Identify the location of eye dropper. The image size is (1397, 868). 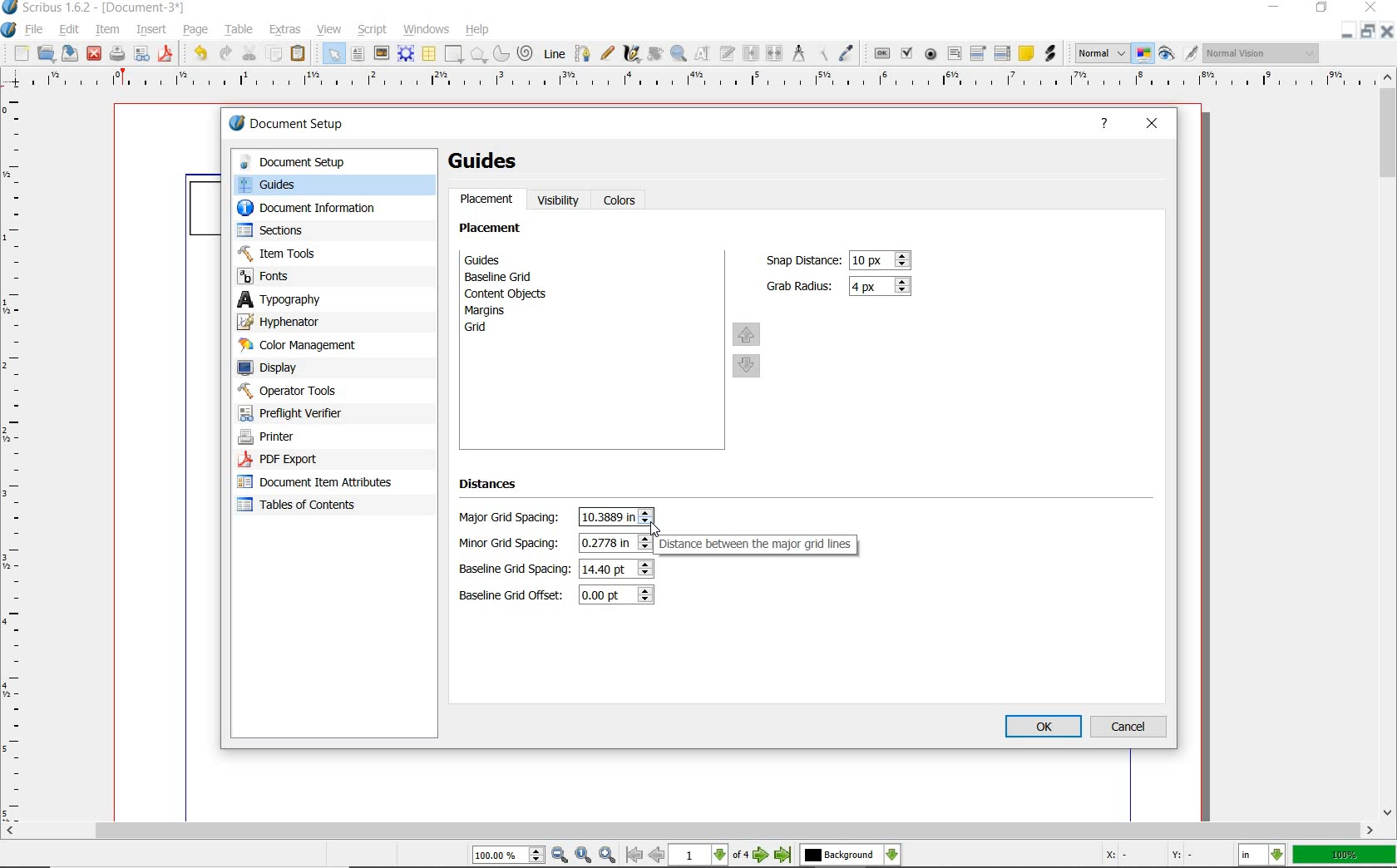
(848, 52).